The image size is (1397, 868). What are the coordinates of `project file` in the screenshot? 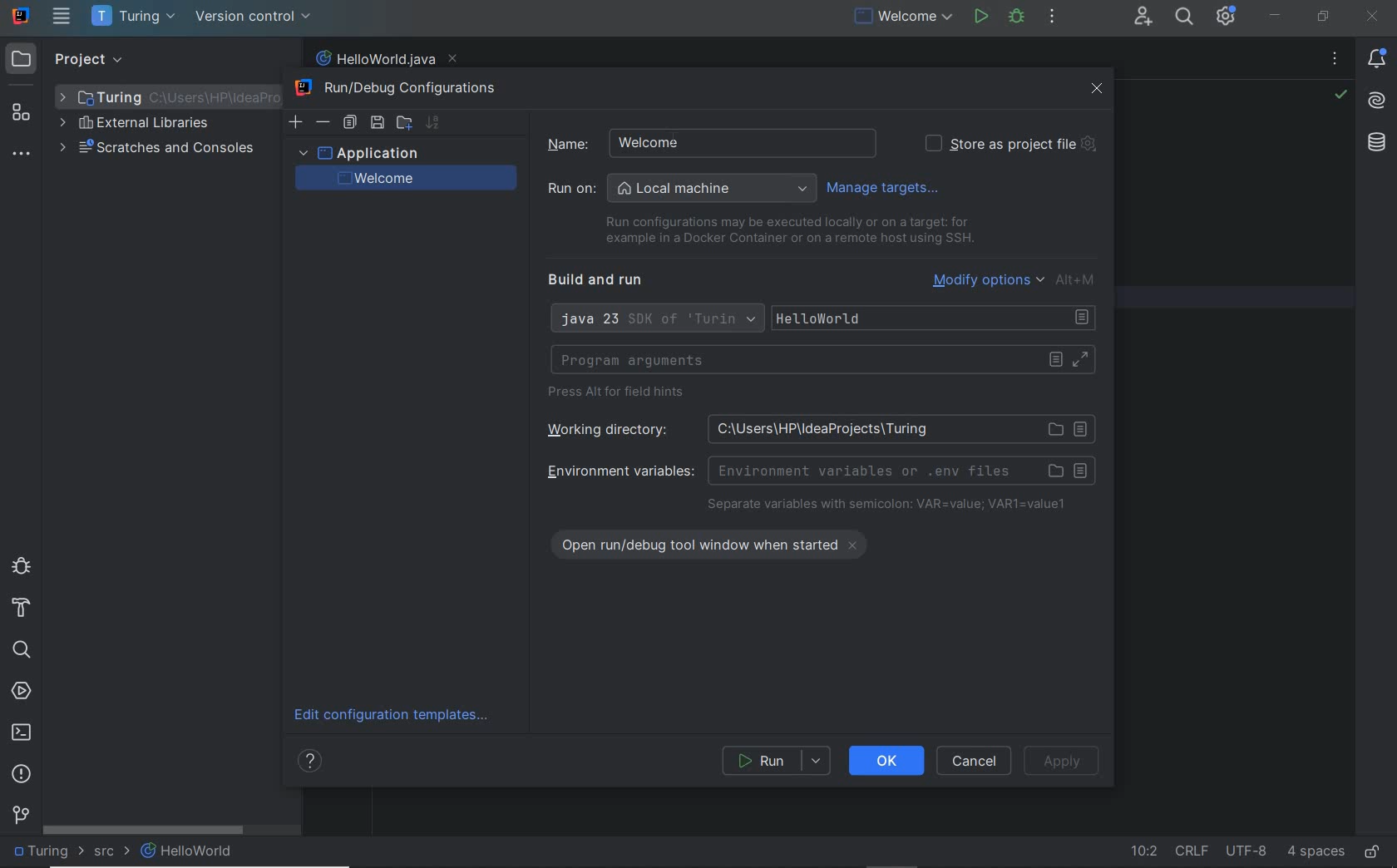 It's located at (46, 851).